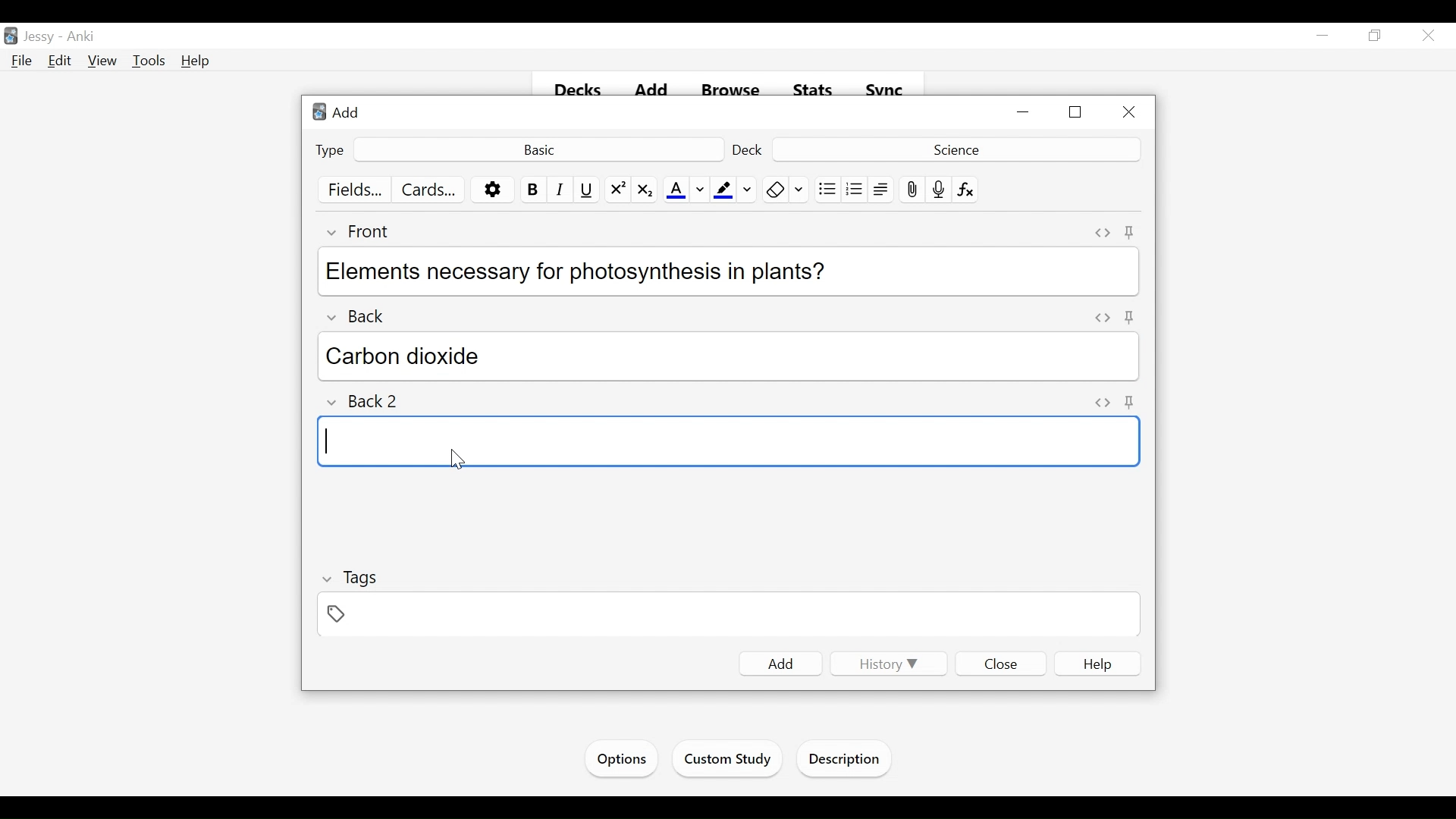 This screenshot has width=1456, height=819. I want to click on Toggle HTML Editor, so click(1103, 233).